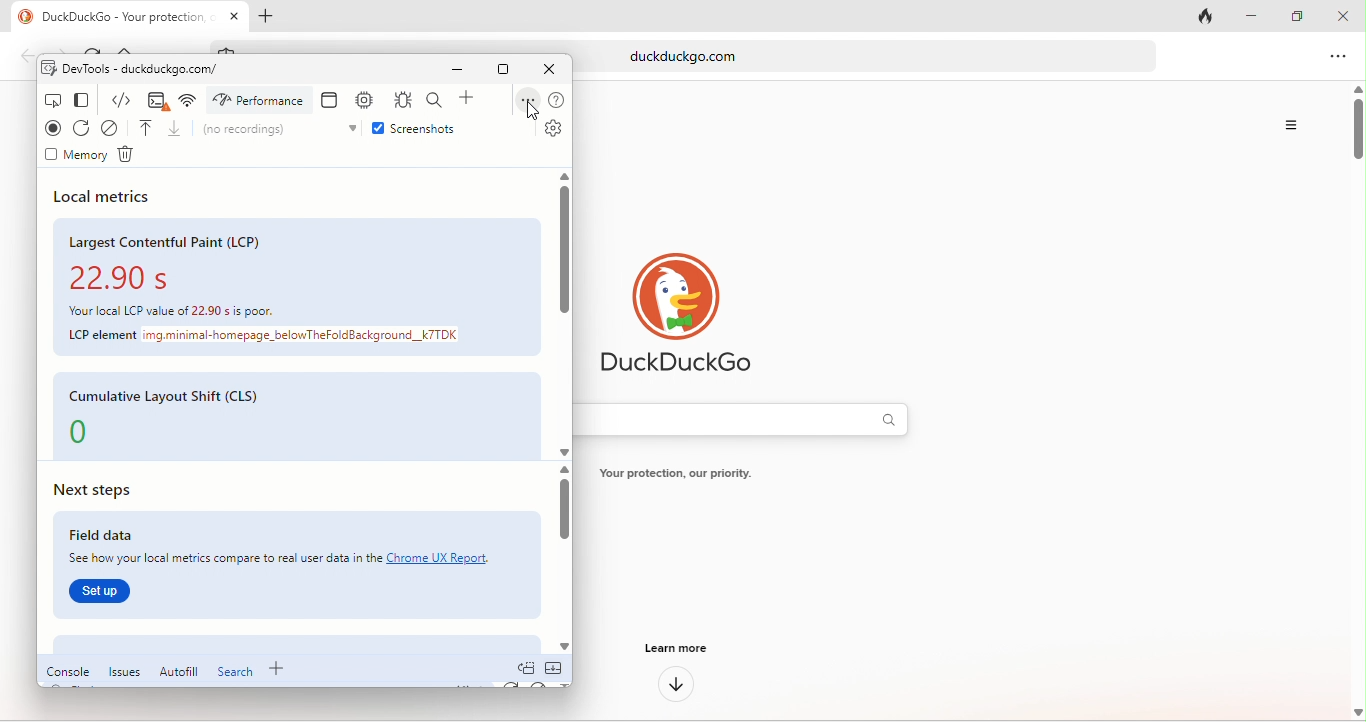  What do you see at coordinates (145, 275) in the screenshot?
I see `22.90 s` at bounding box center [145, 275].